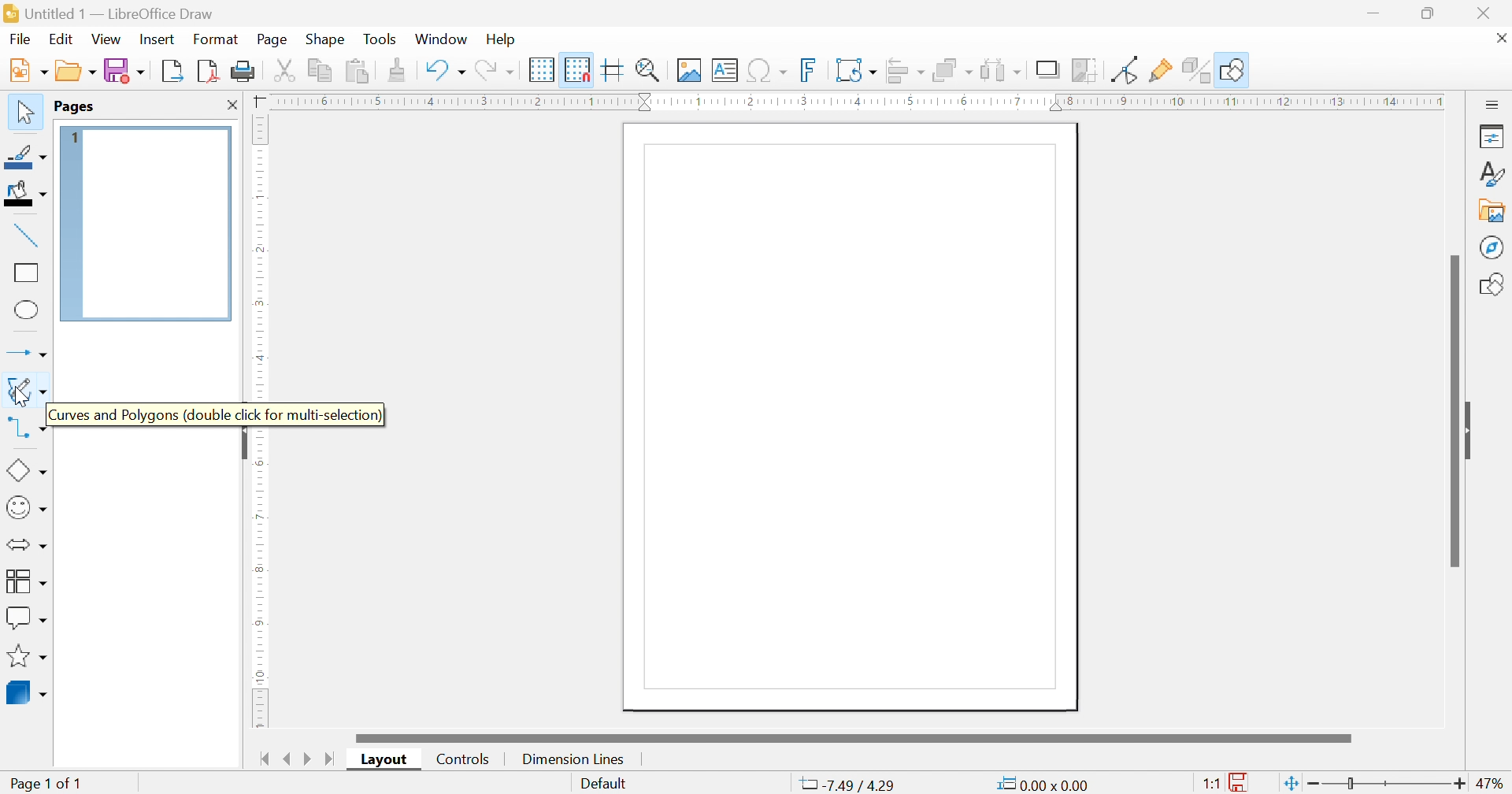 The image size is (1512, 794). Describe the element at coordinates (27, 271) in the screenshot. I see `rectangle` at that location.